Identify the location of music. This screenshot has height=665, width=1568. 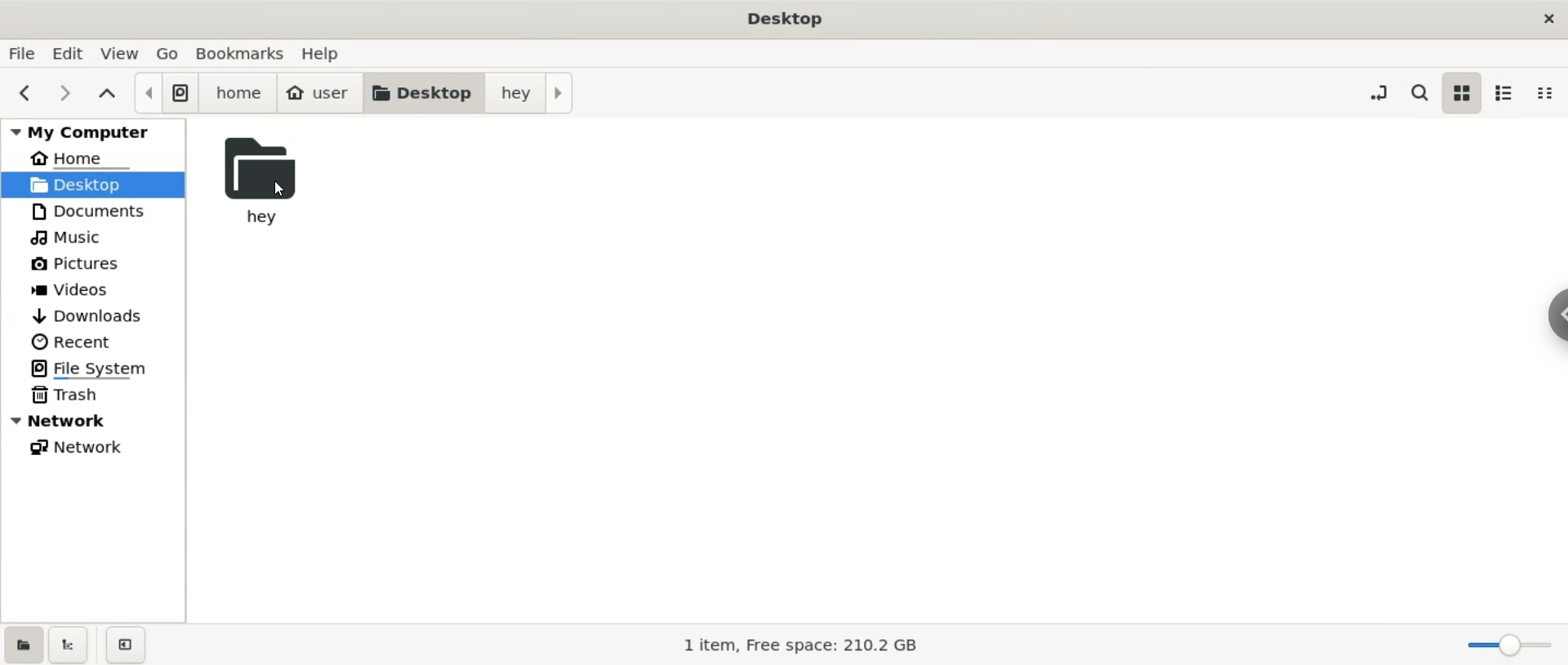
(92, 236).